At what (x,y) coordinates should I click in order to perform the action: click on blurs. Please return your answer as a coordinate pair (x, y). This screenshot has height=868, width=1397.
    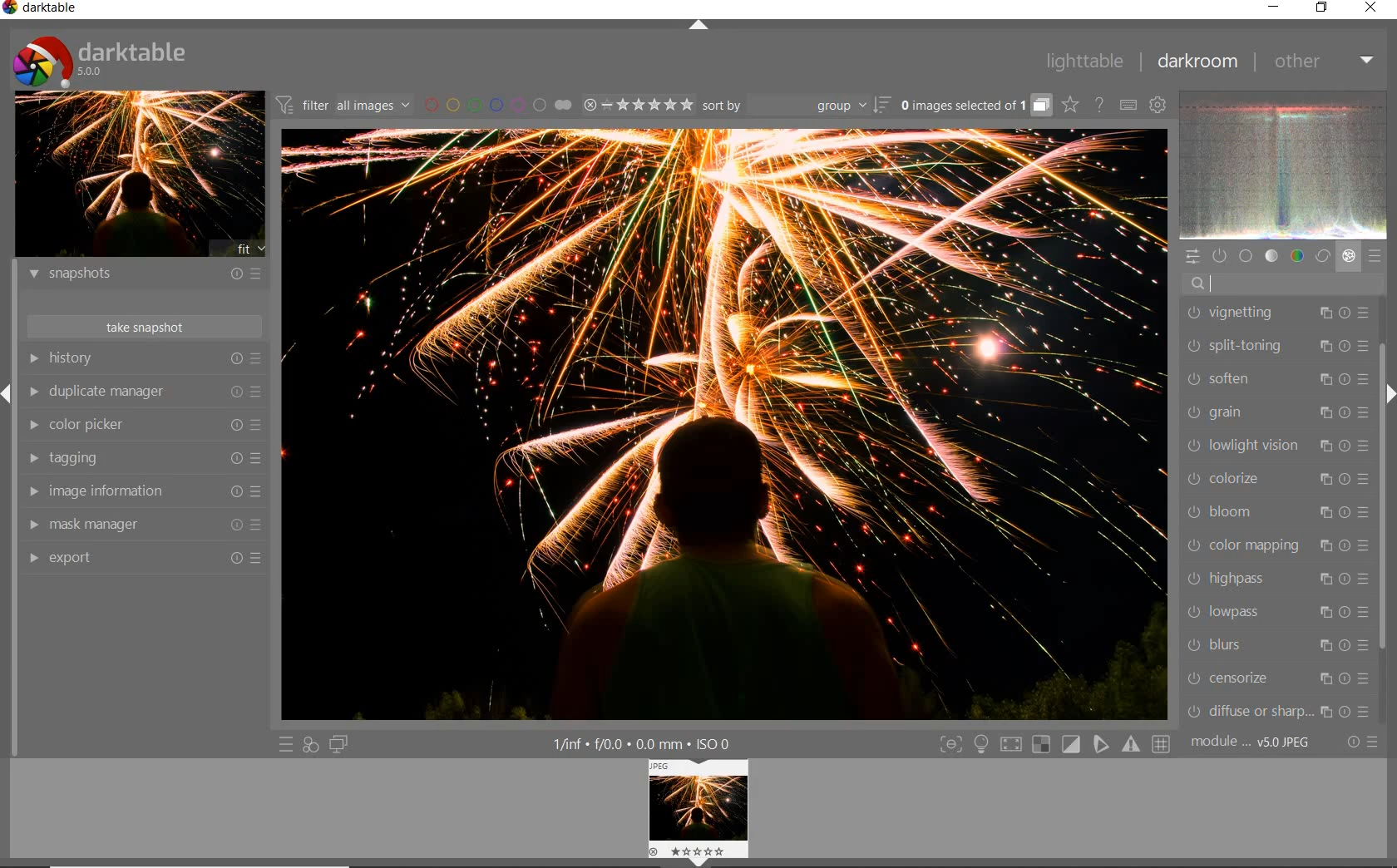
    Looking at the image, I should click on (1276, 647).